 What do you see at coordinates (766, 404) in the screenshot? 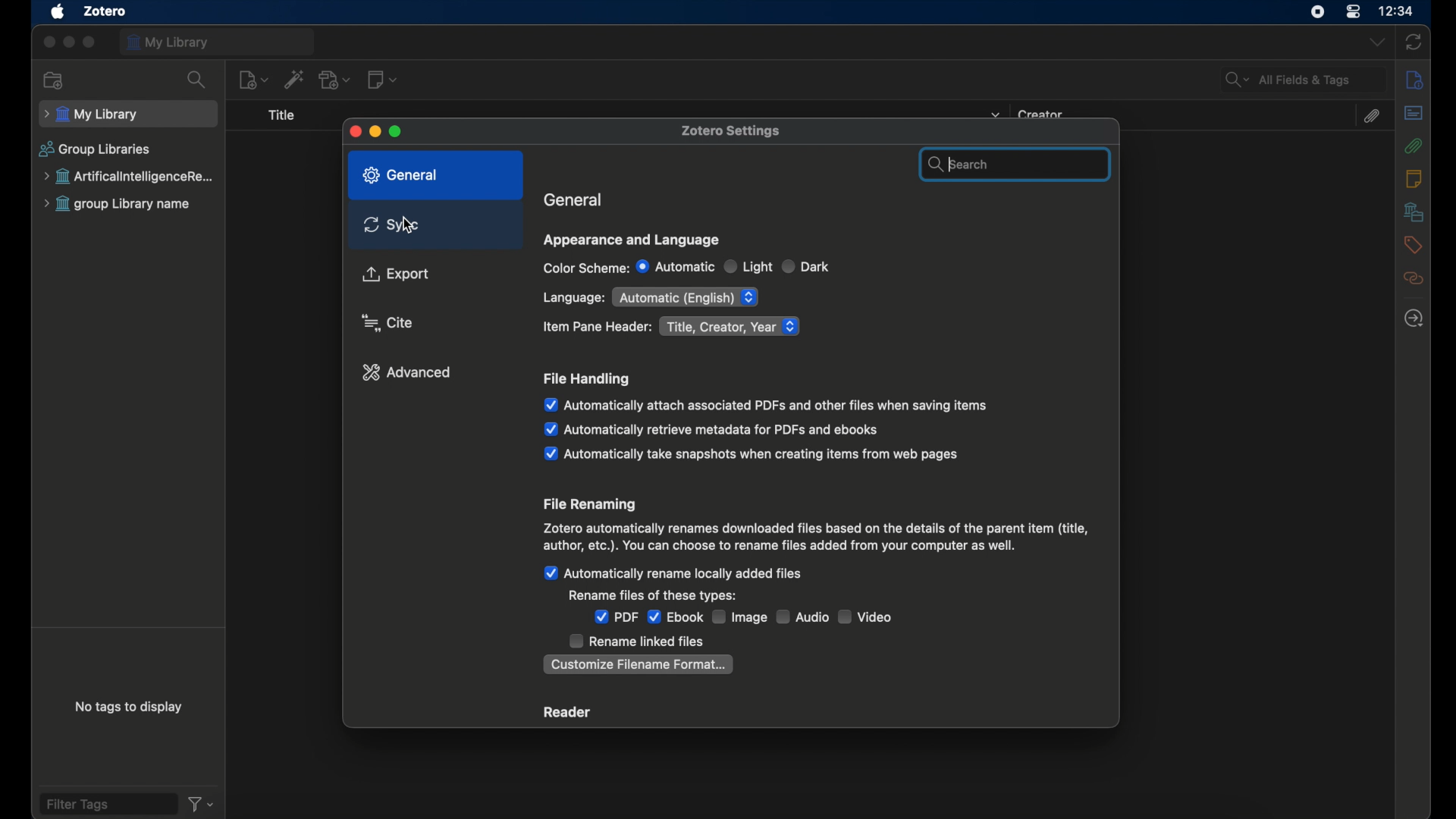
I see `automatically attach associated pdfs and other files when saving items` at bounding box center [766, 404].